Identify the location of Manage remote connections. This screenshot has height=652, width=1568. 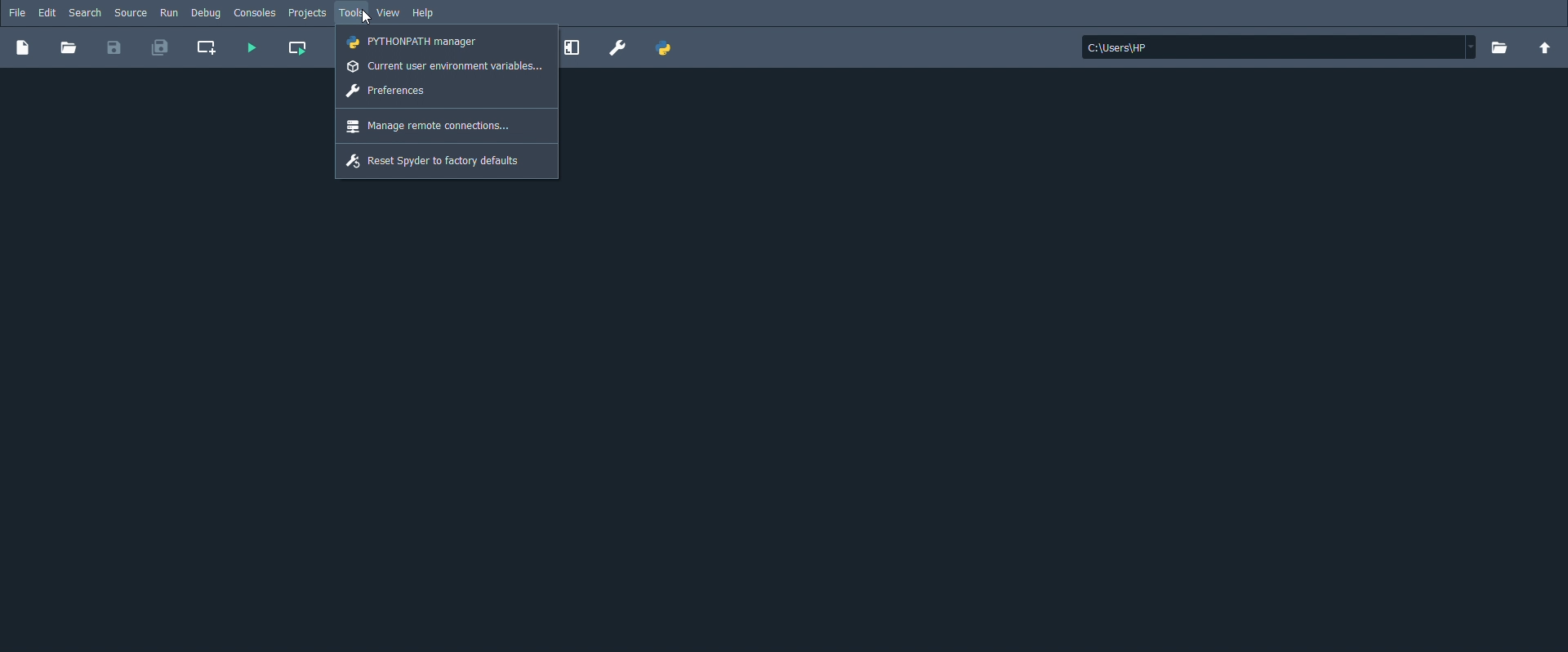
(430, 126).